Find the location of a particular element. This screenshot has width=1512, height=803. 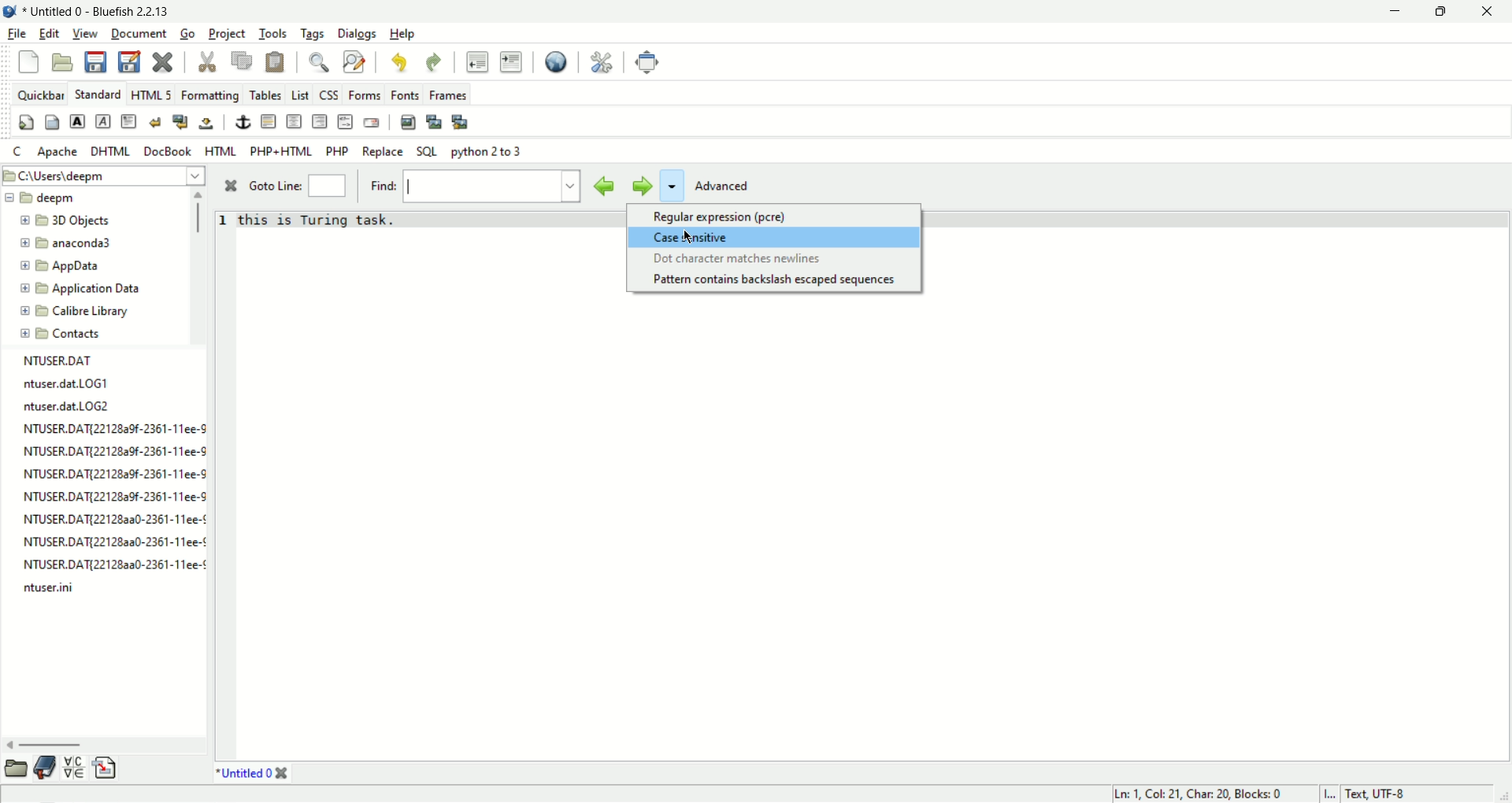

preferences is located at coordinates (602, 62).